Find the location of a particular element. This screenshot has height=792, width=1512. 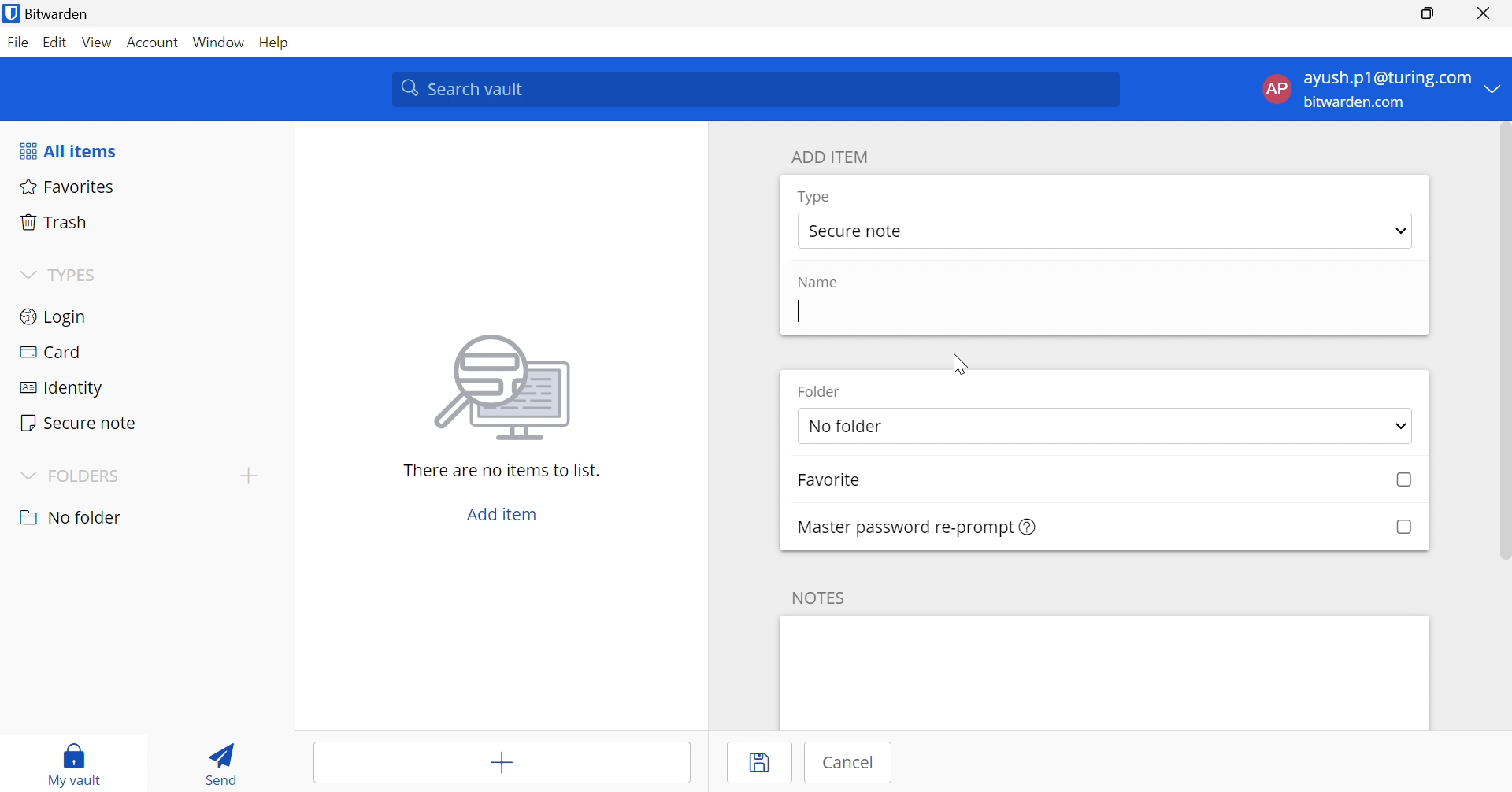

Save is located at coordinates (758, 763).